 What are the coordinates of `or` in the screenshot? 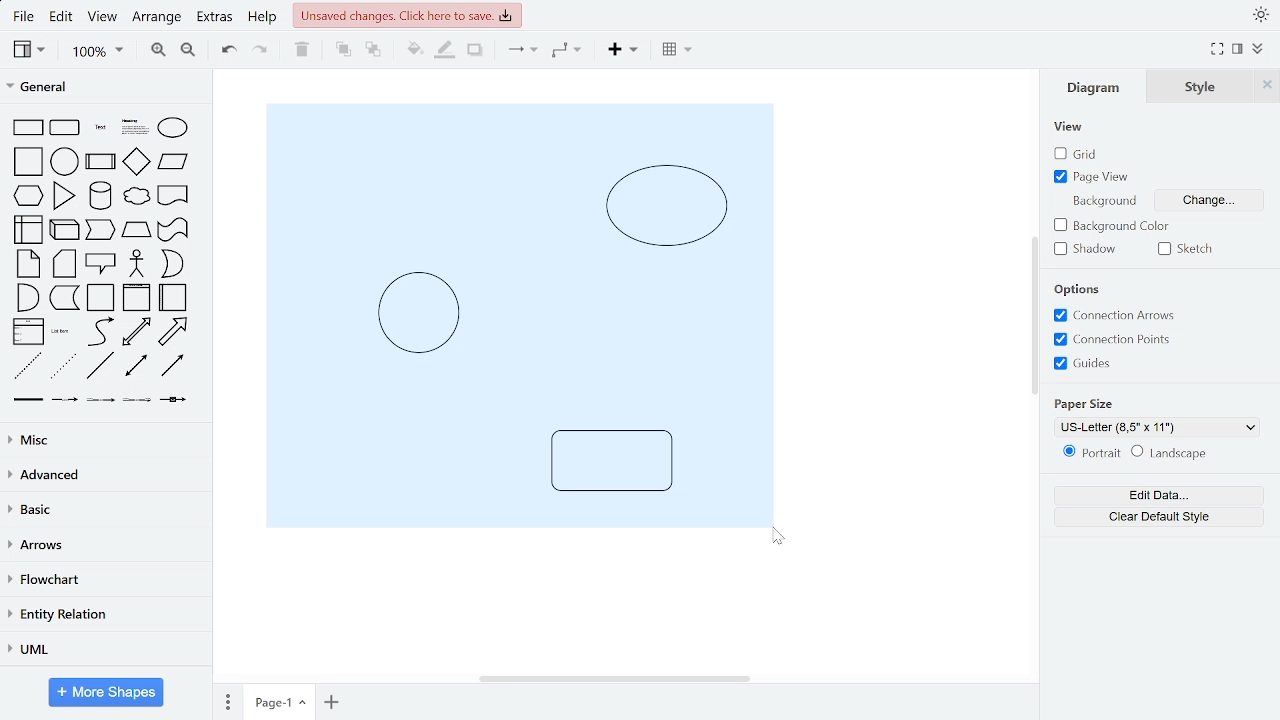 It's located at (171, 263).